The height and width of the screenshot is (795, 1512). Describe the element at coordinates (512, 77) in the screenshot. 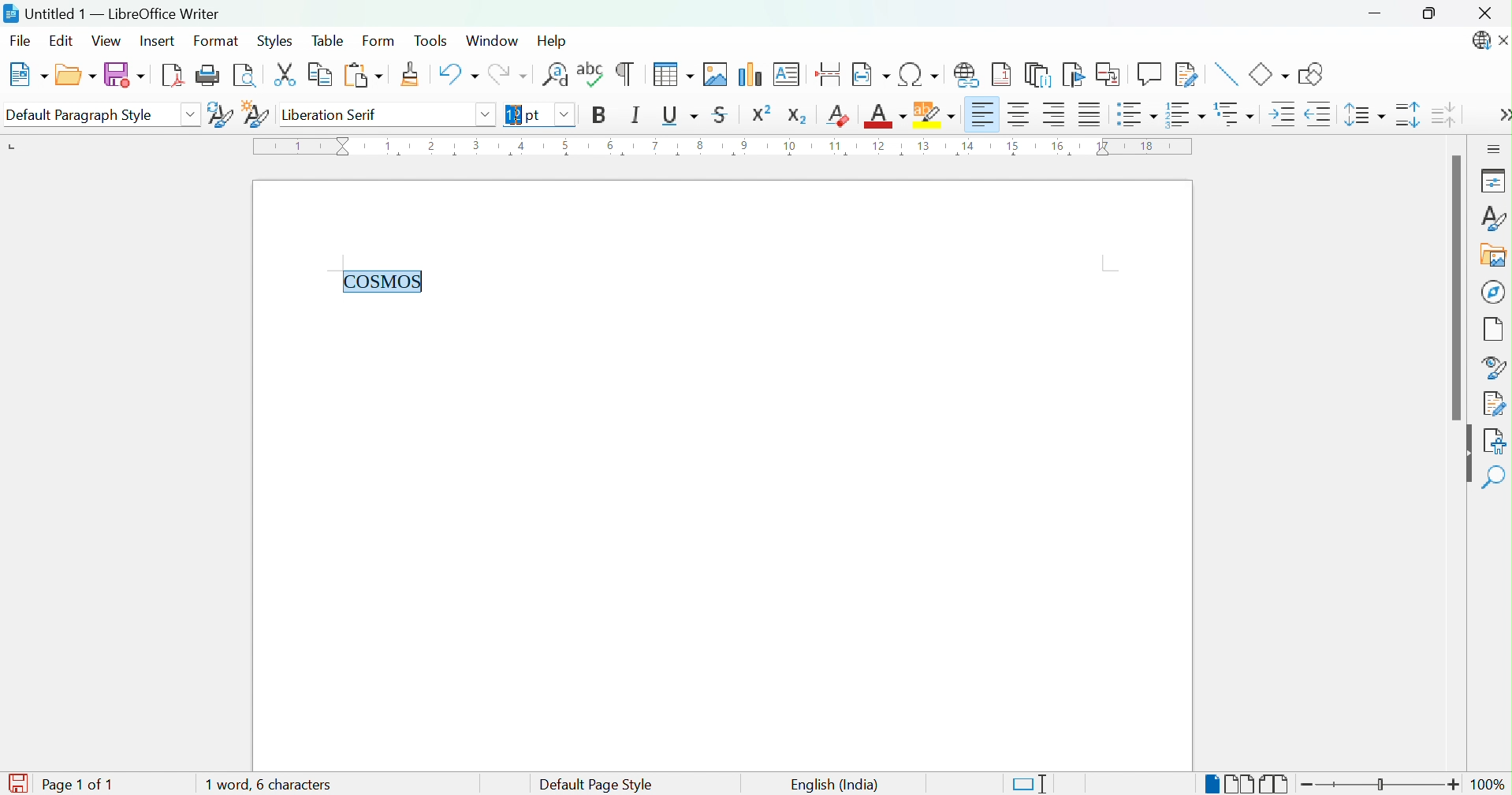

I see `Redo` at that location.